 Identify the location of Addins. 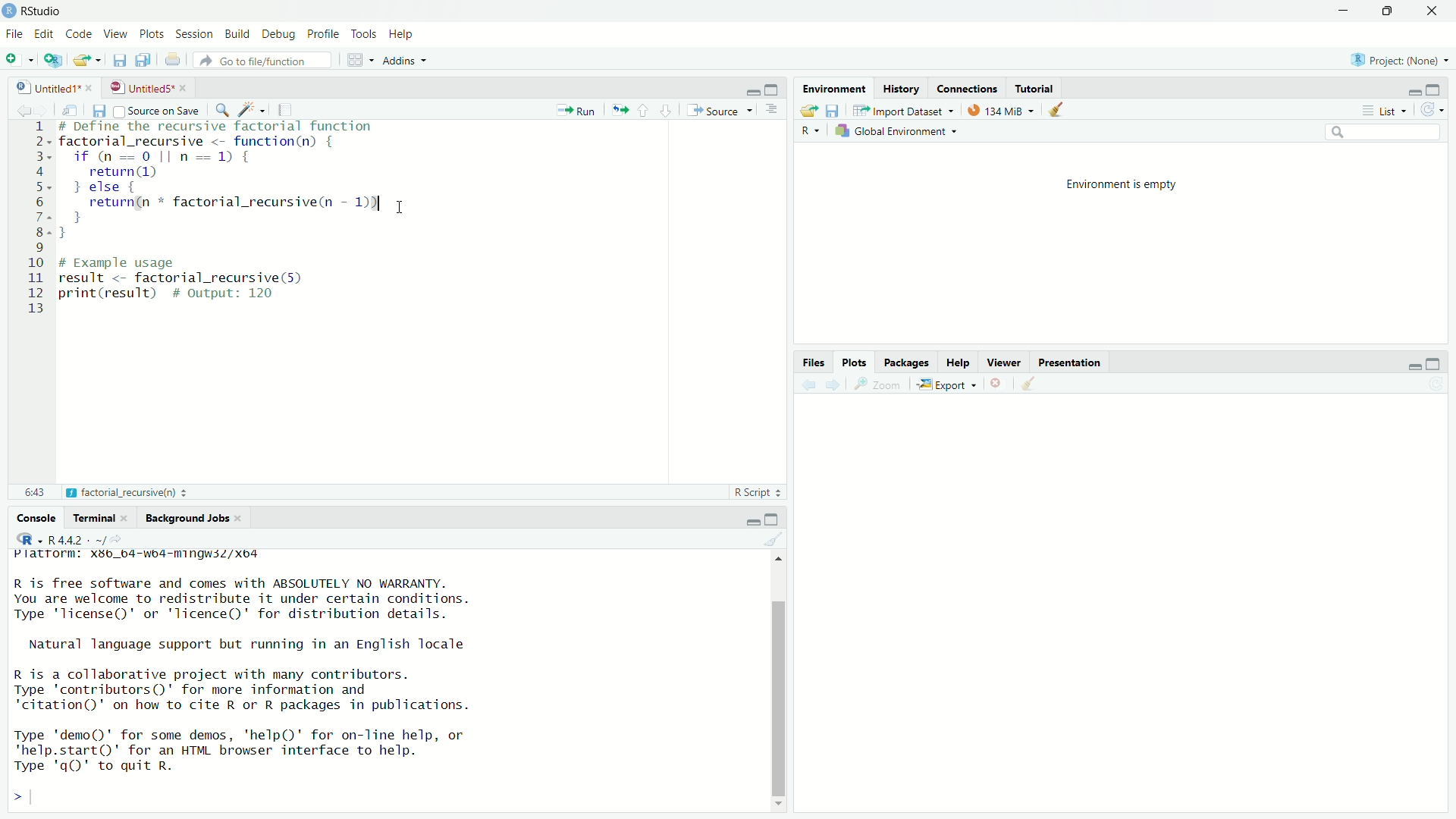
(412, 61).